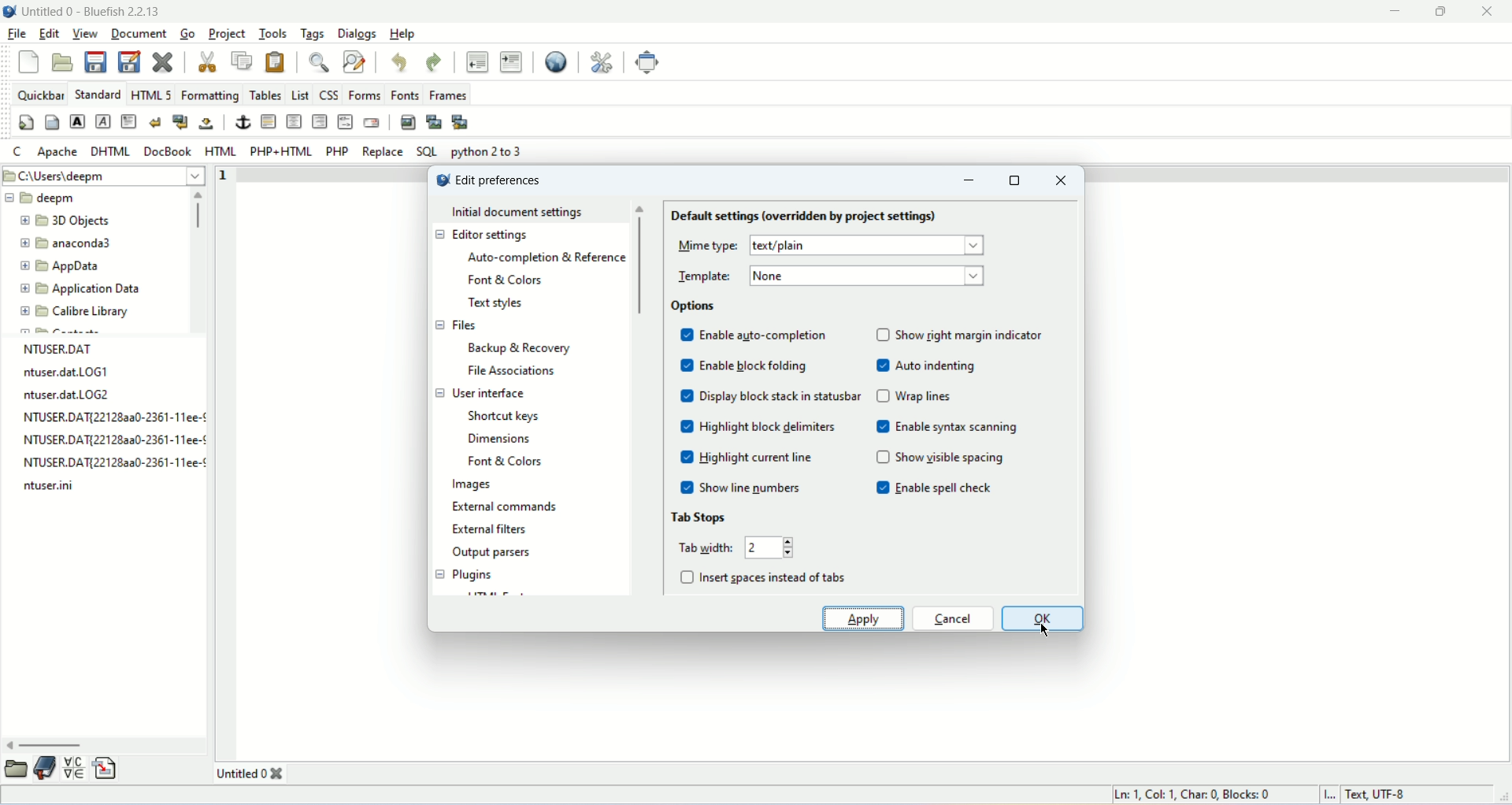 Image resolution: width=1512 pixels, height=805 pixels. I want to click on enable block folding, so click(758, 367).